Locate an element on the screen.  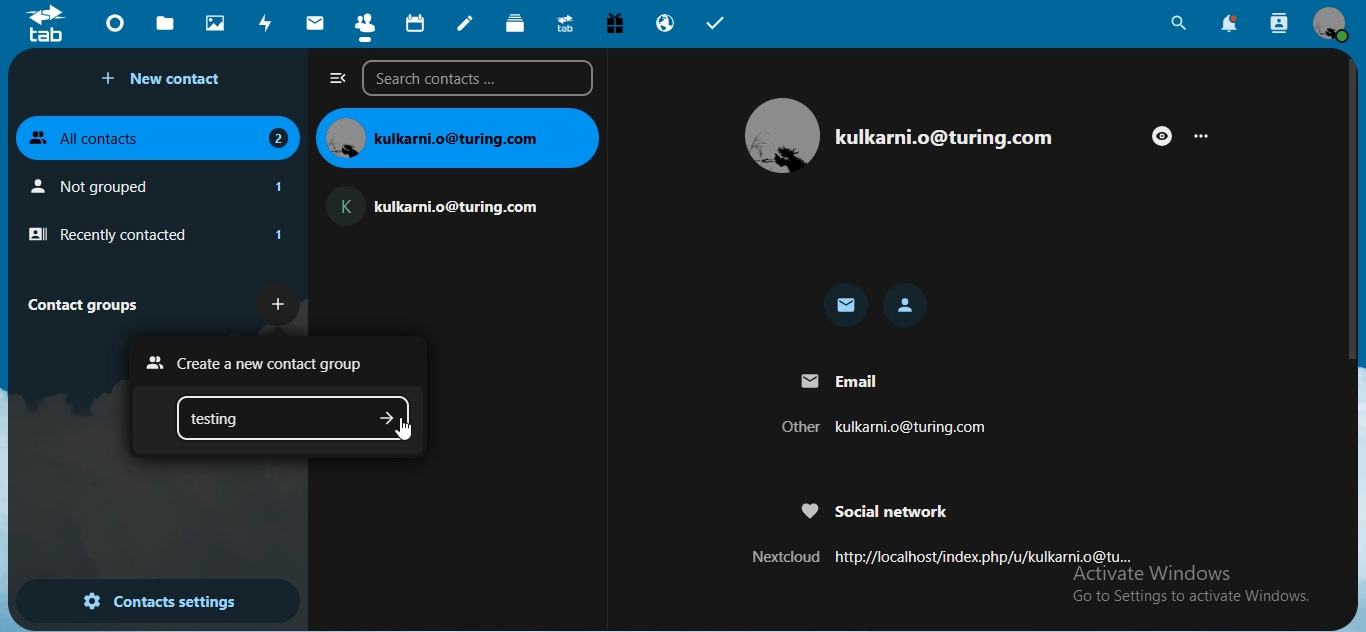
kulkarni.o@turing.com is located at coordinates (457, 137).